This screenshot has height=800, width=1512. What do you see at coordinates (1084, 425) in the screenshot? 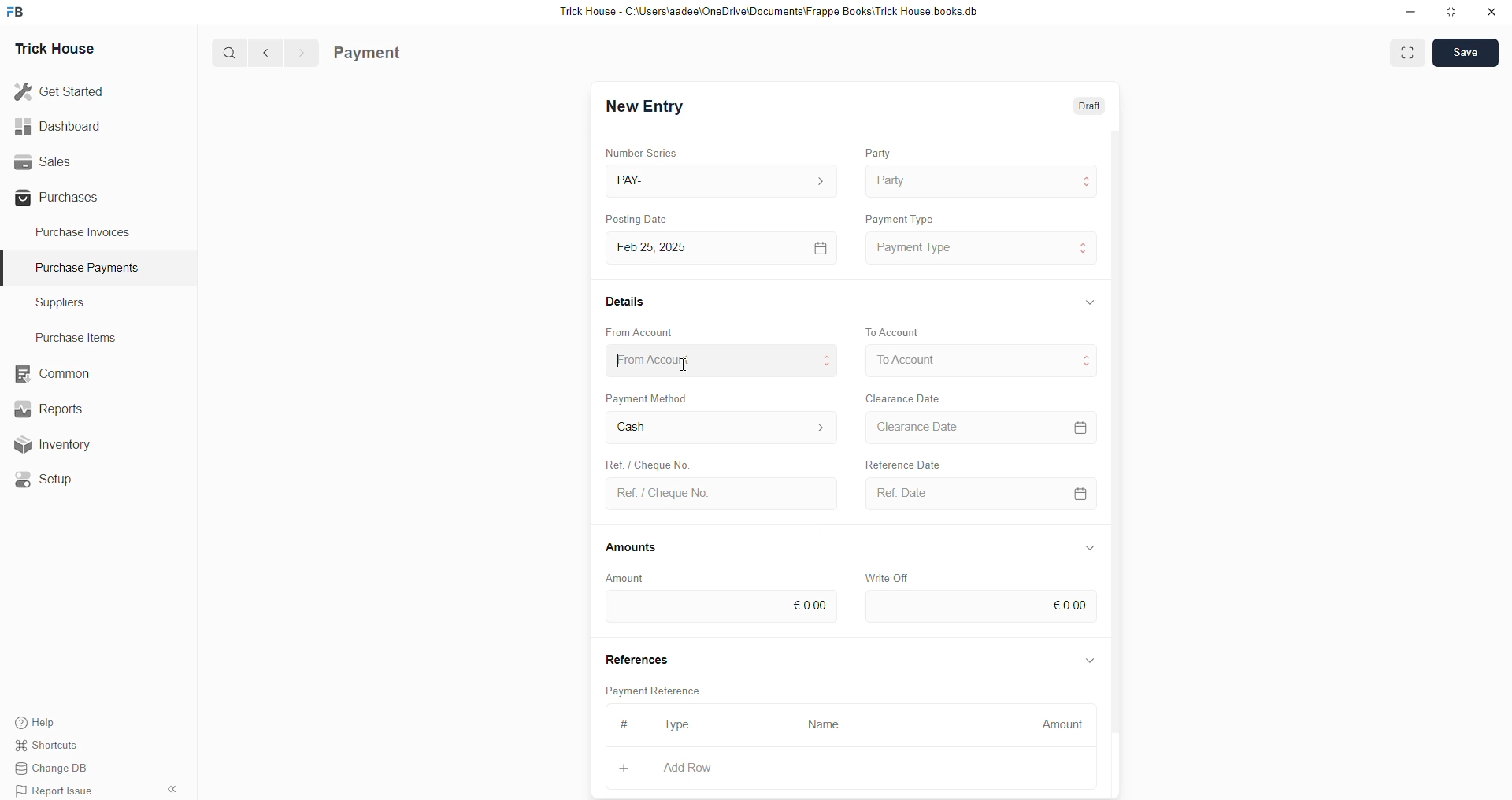
I see `=` at bounding box center [1084, 425].